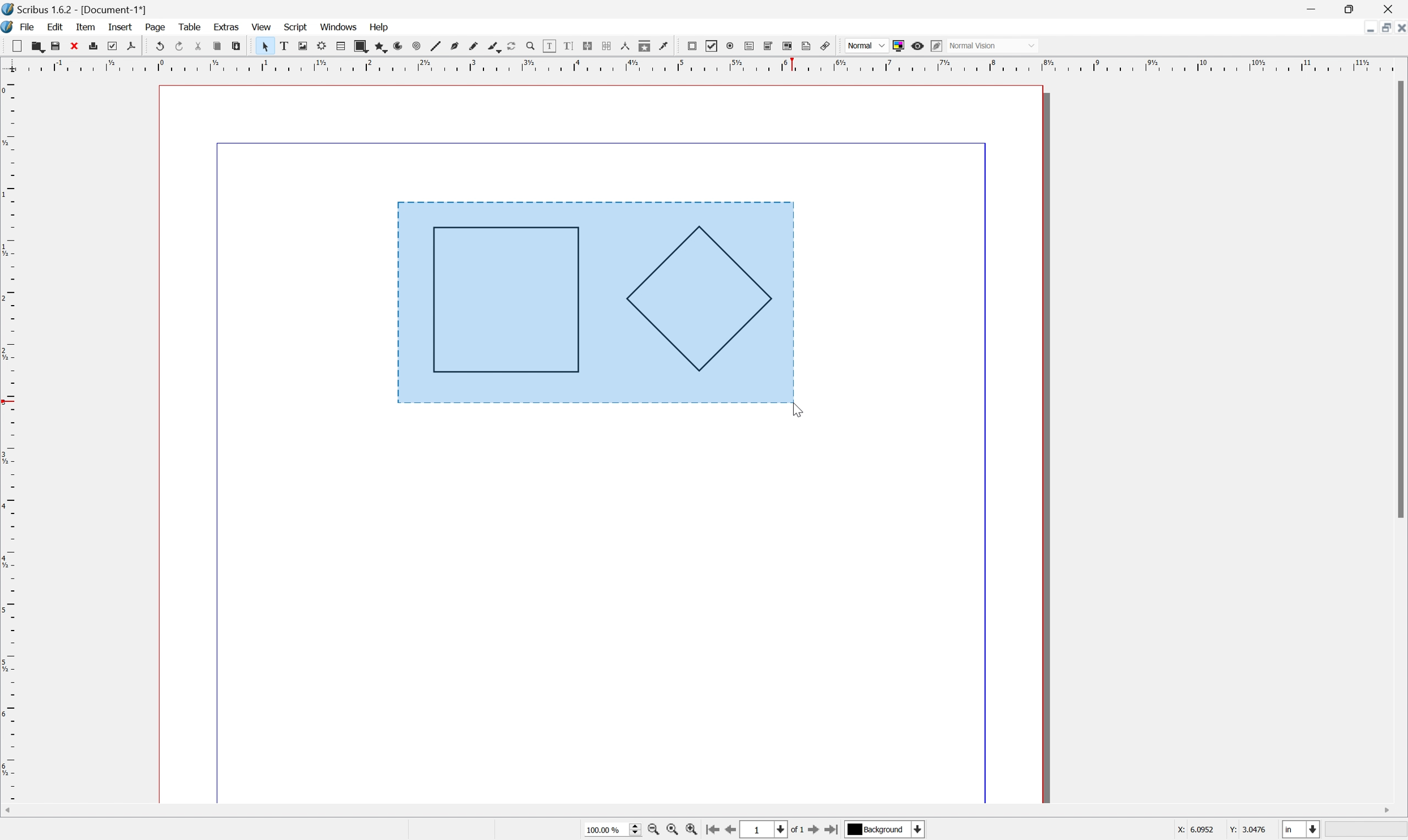 This screenshot has width=1408, height=840. Describe the element at coordinates (452, 47) in the screenshot. I see `bezier curve` at that location.